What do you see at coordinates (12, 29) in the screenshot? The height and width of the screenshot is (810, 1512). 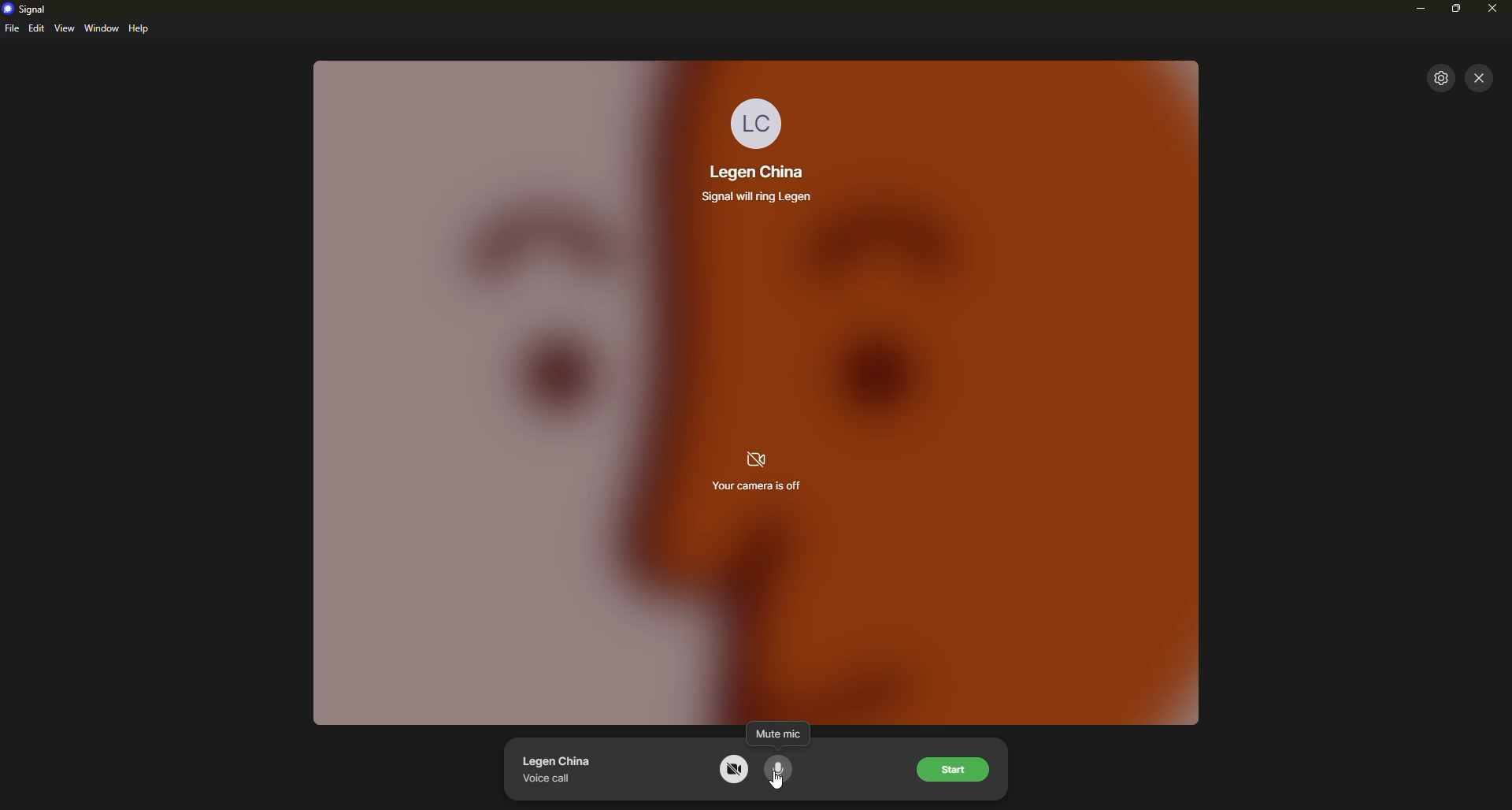 I see `file` at bounding box center [12, 29].